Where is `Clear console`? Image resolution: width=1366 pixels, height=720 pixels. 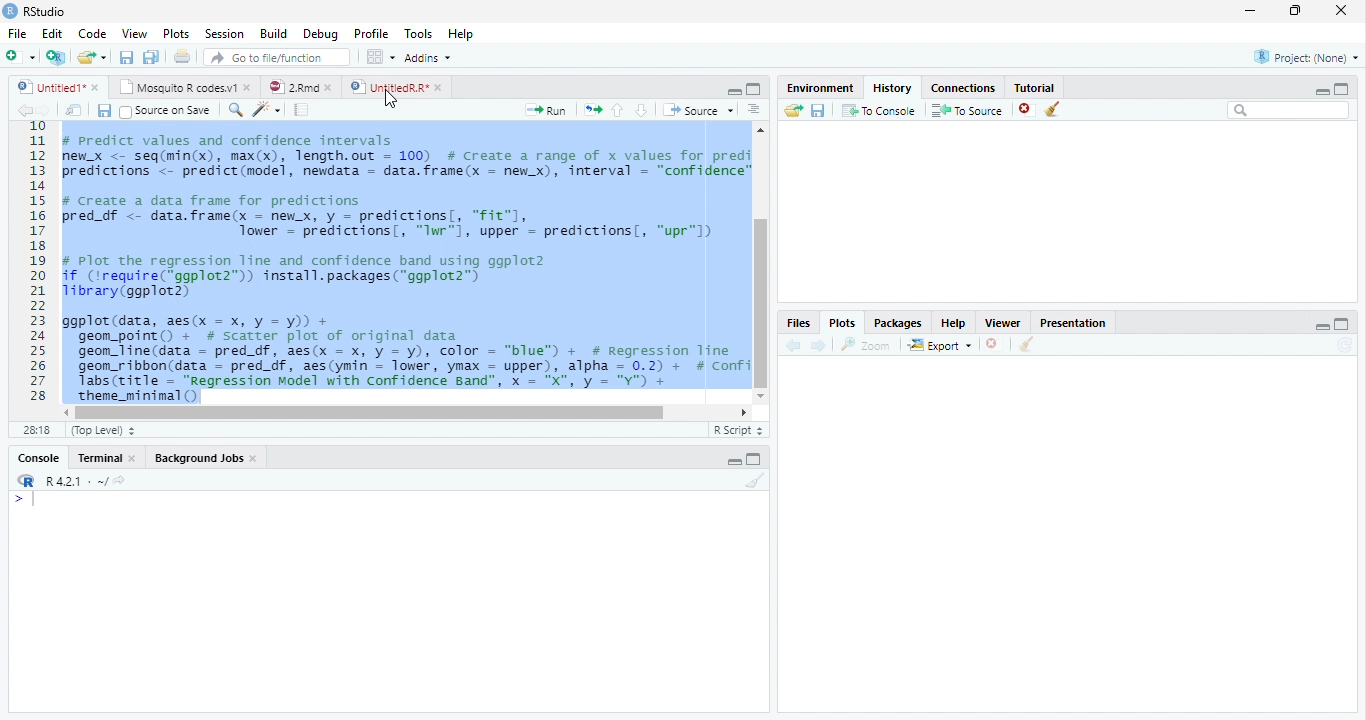
Clear console is located at coordinates (756, 481).